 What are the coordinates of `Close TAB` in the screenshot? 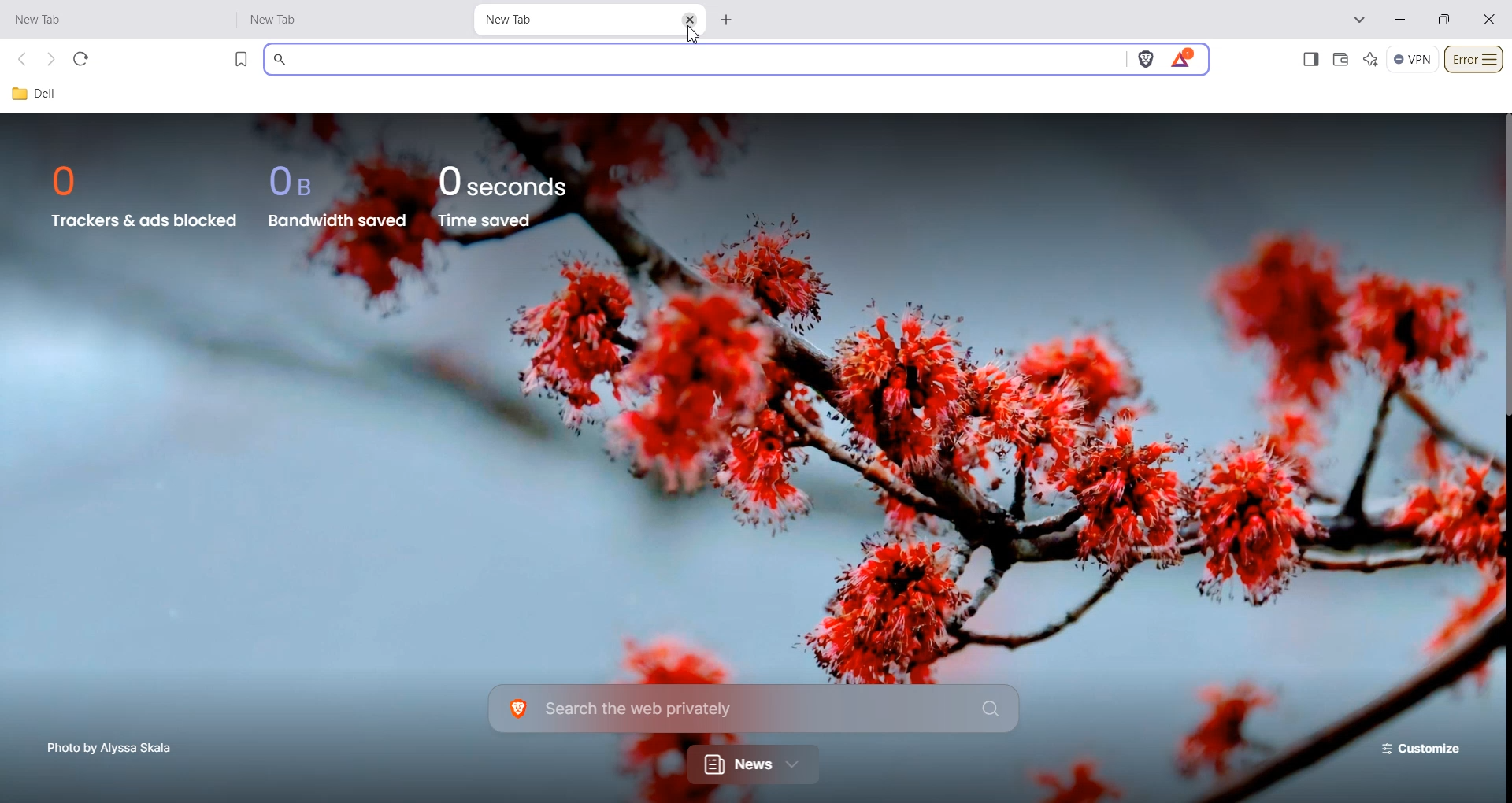 It's located at (691, 21).